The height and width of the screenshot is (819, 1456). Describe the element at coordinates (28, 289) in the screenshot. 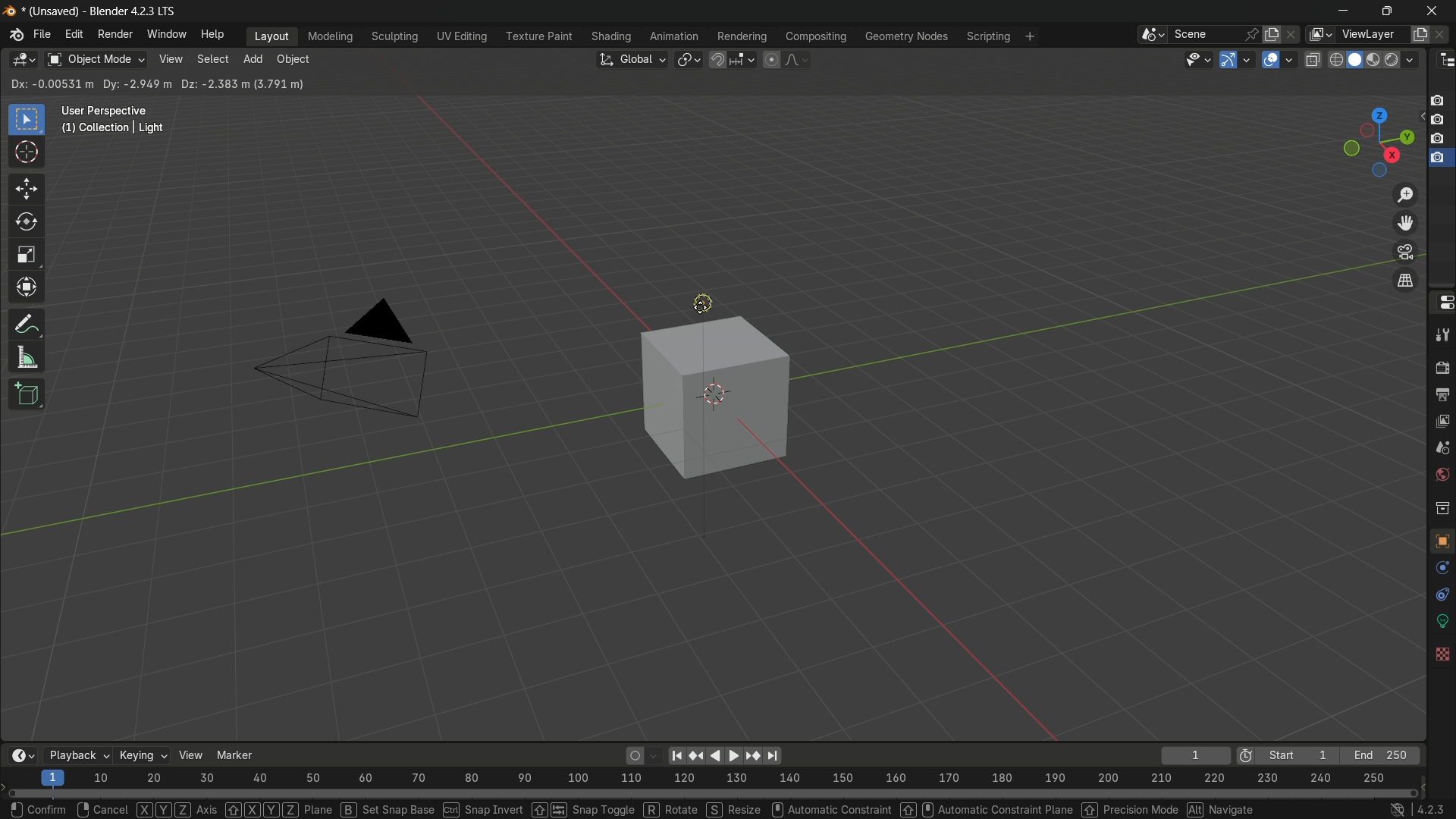

I see `transform` at that location.